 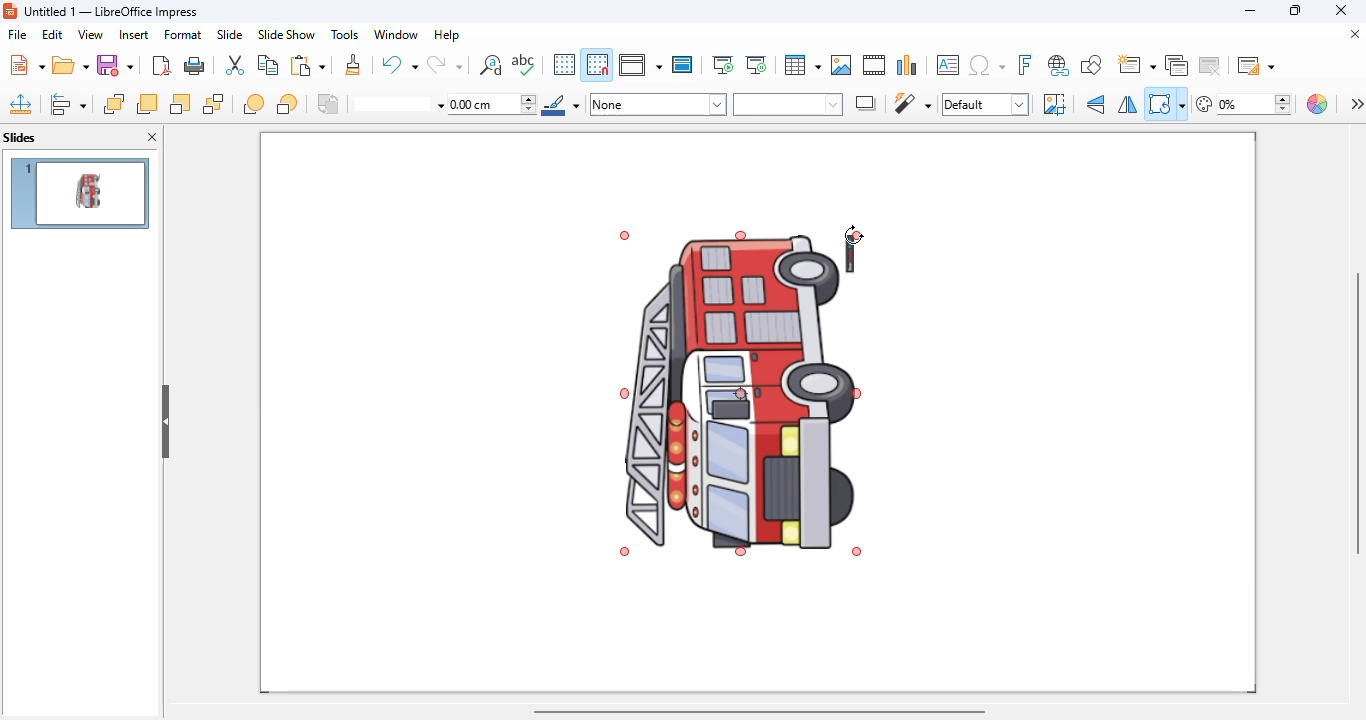 What do you see at coordinates (134, 35) in the screenshot?
I see `insert` at bounding box center [134, 35].